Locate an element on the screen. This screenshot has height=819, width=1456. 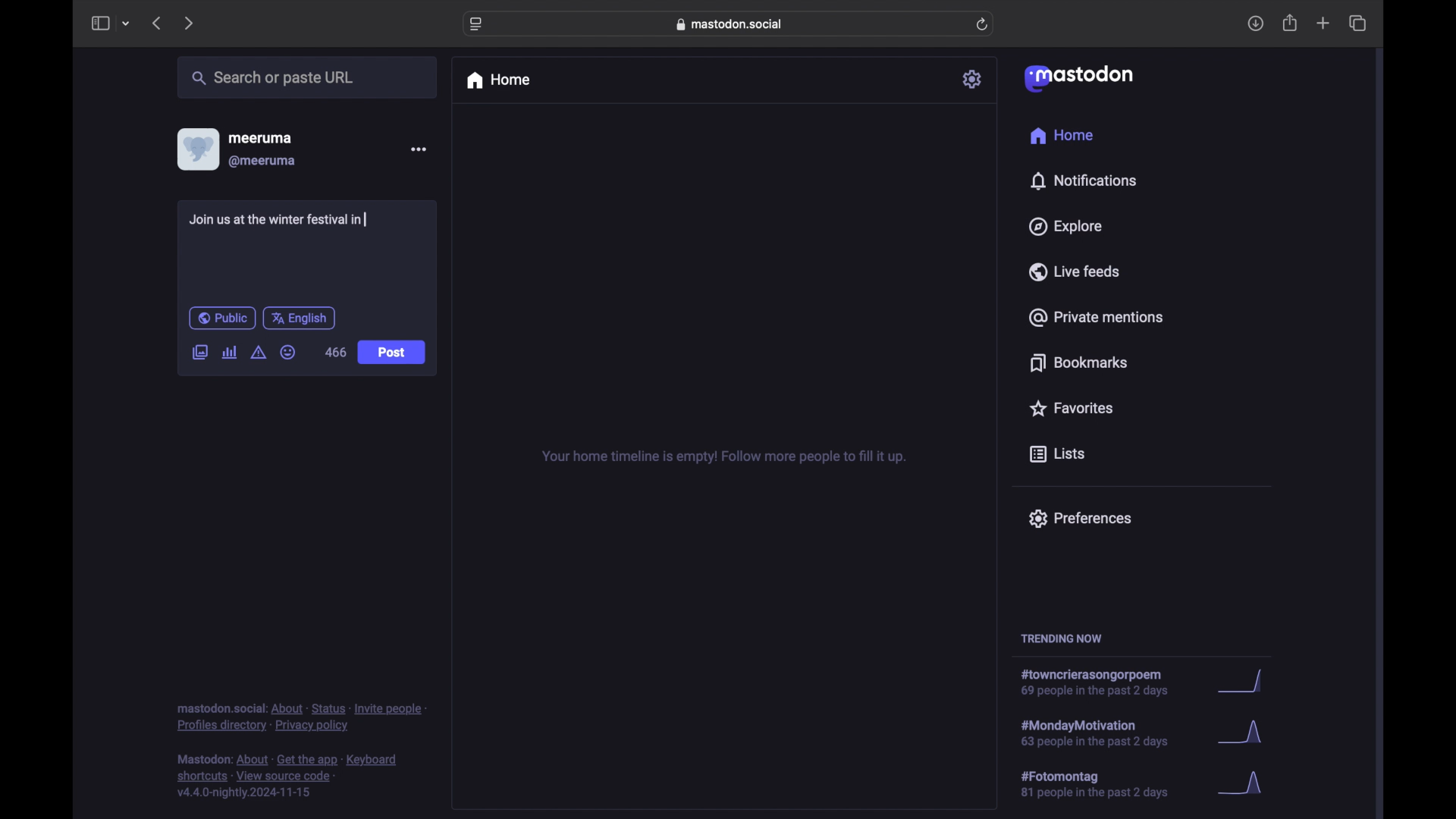
Join us at the winter festival in is located at coordinates (281, 220).